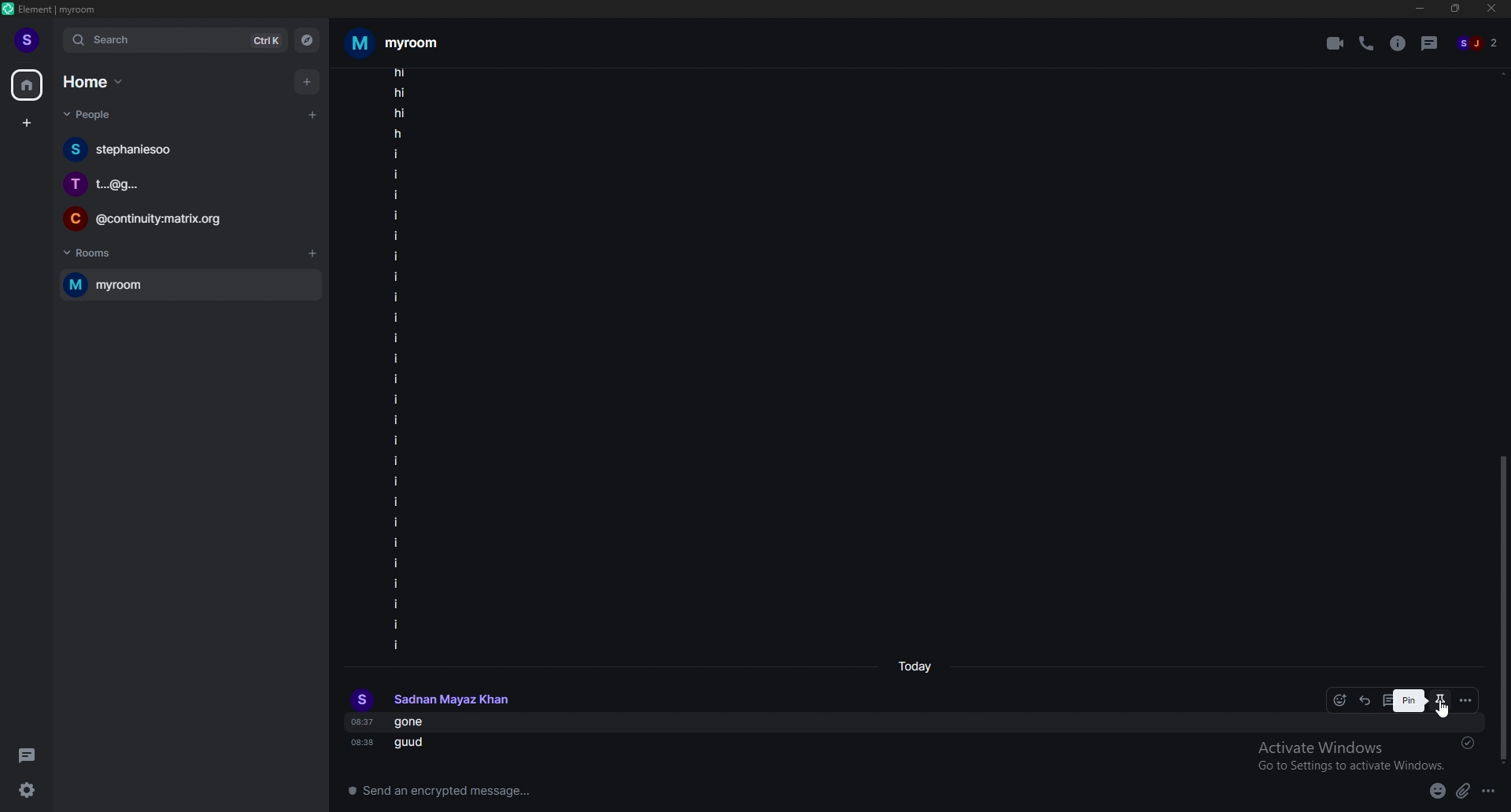  I want to click on reply, so click(1365, 700).